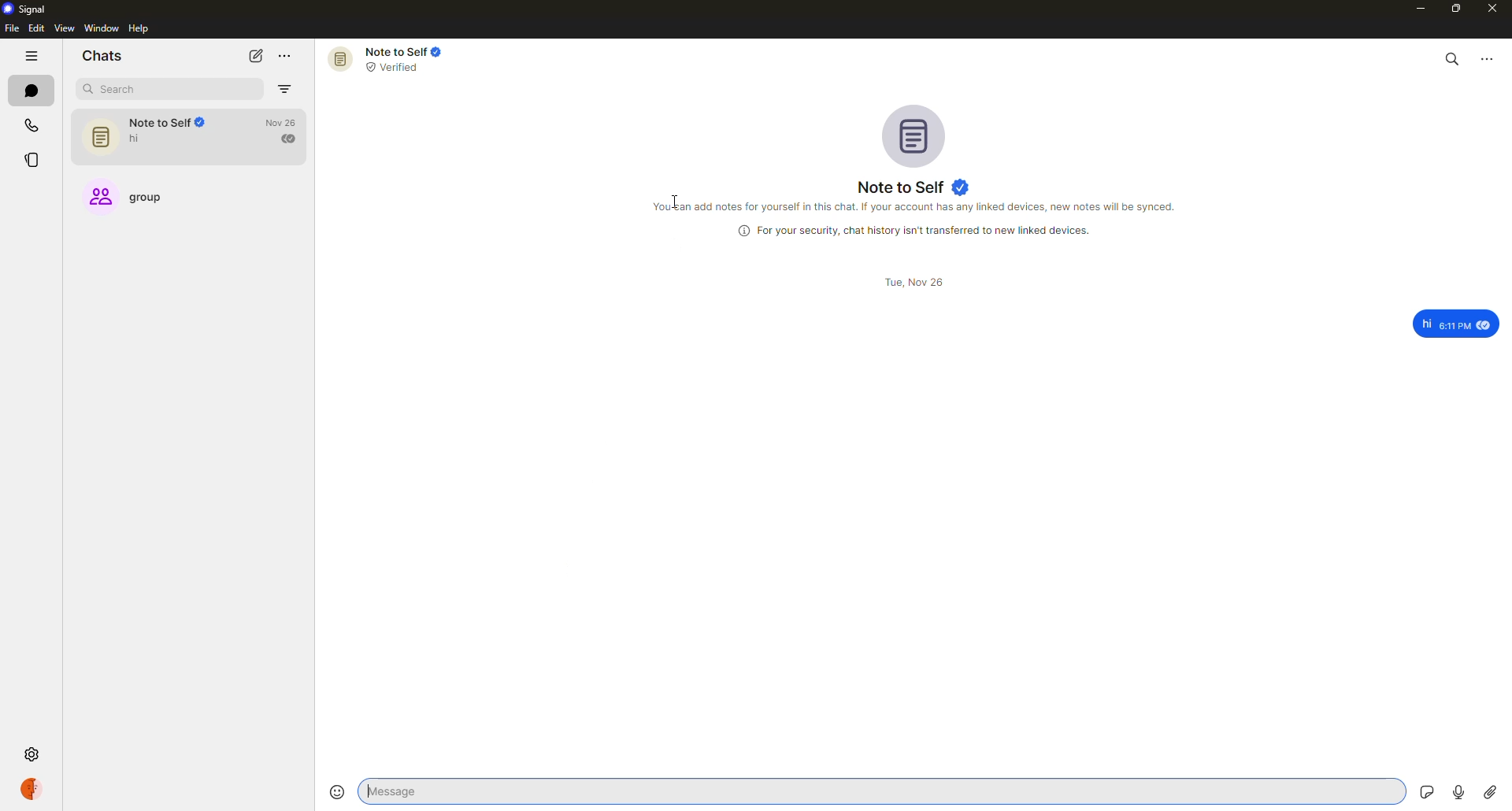  I want to click on search, so click(1453, 58).